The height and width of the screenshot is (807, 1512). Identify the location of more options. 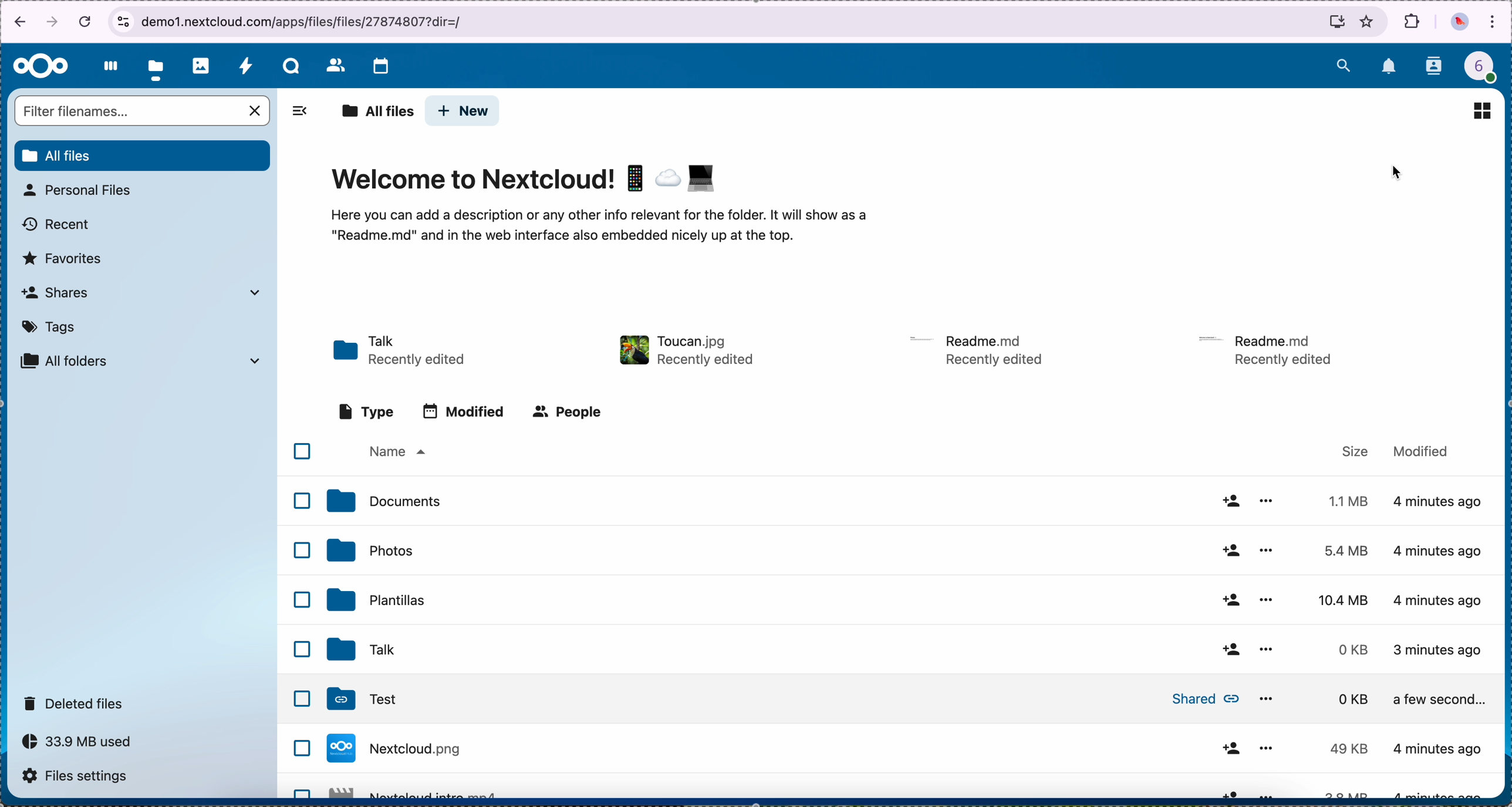
(1268, 695).